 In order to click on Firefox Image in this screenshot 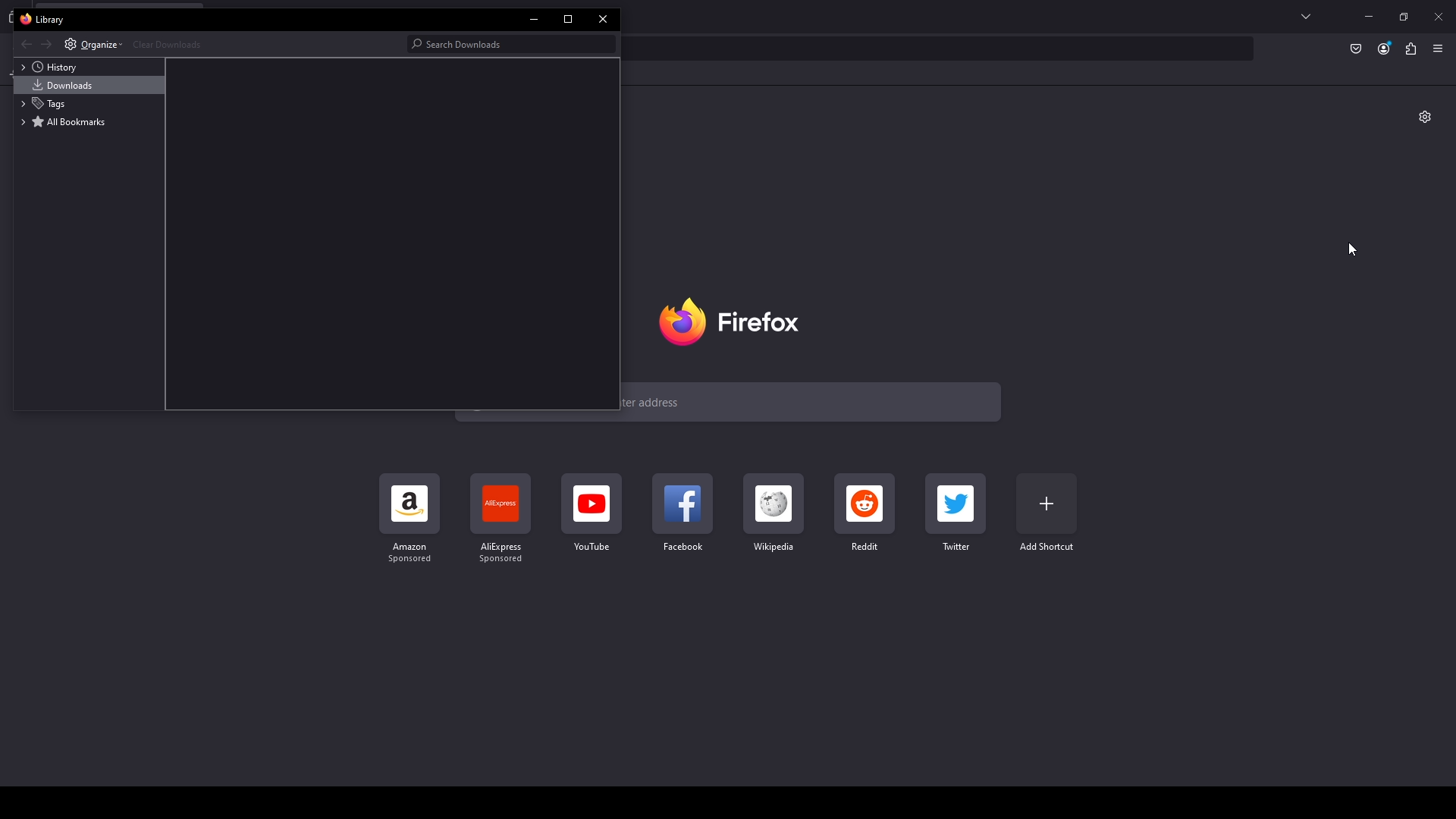, I will do `click(736, 322)`.